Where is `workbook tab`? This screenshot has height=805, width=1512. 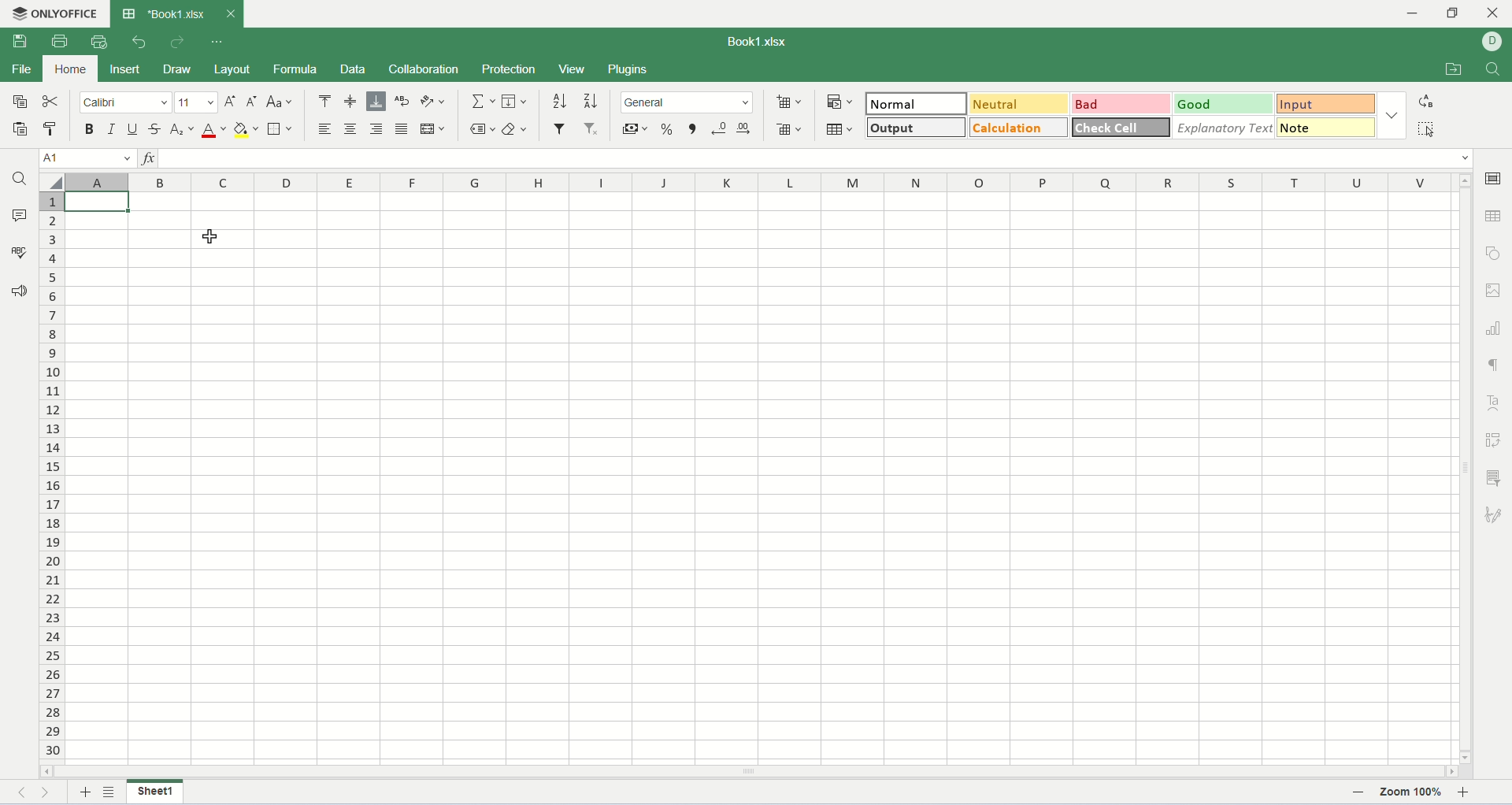 workbook tab is located at coordinates (166, 13).